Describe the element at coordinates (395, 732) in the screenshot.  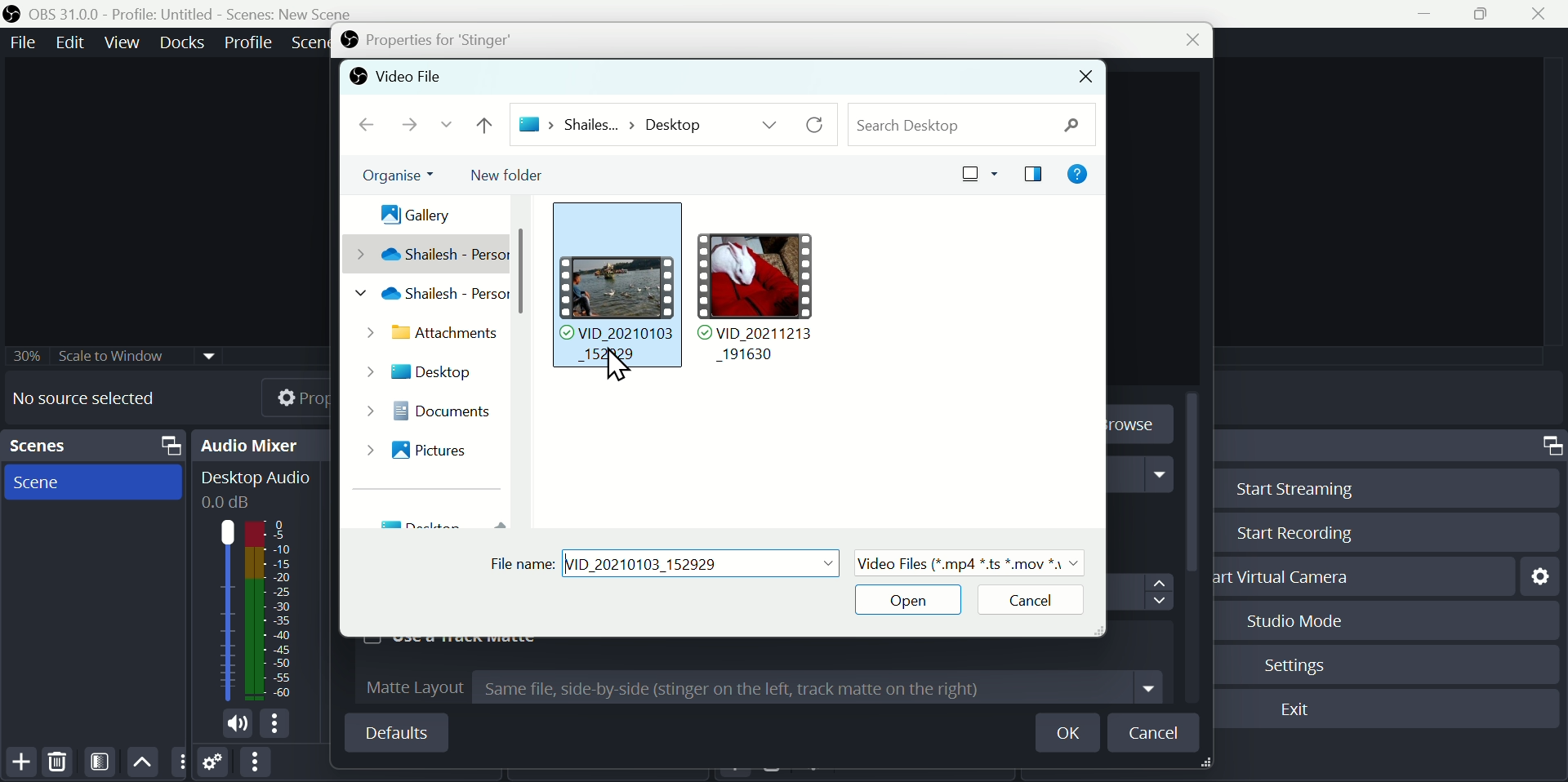
I see `Default` at that location.